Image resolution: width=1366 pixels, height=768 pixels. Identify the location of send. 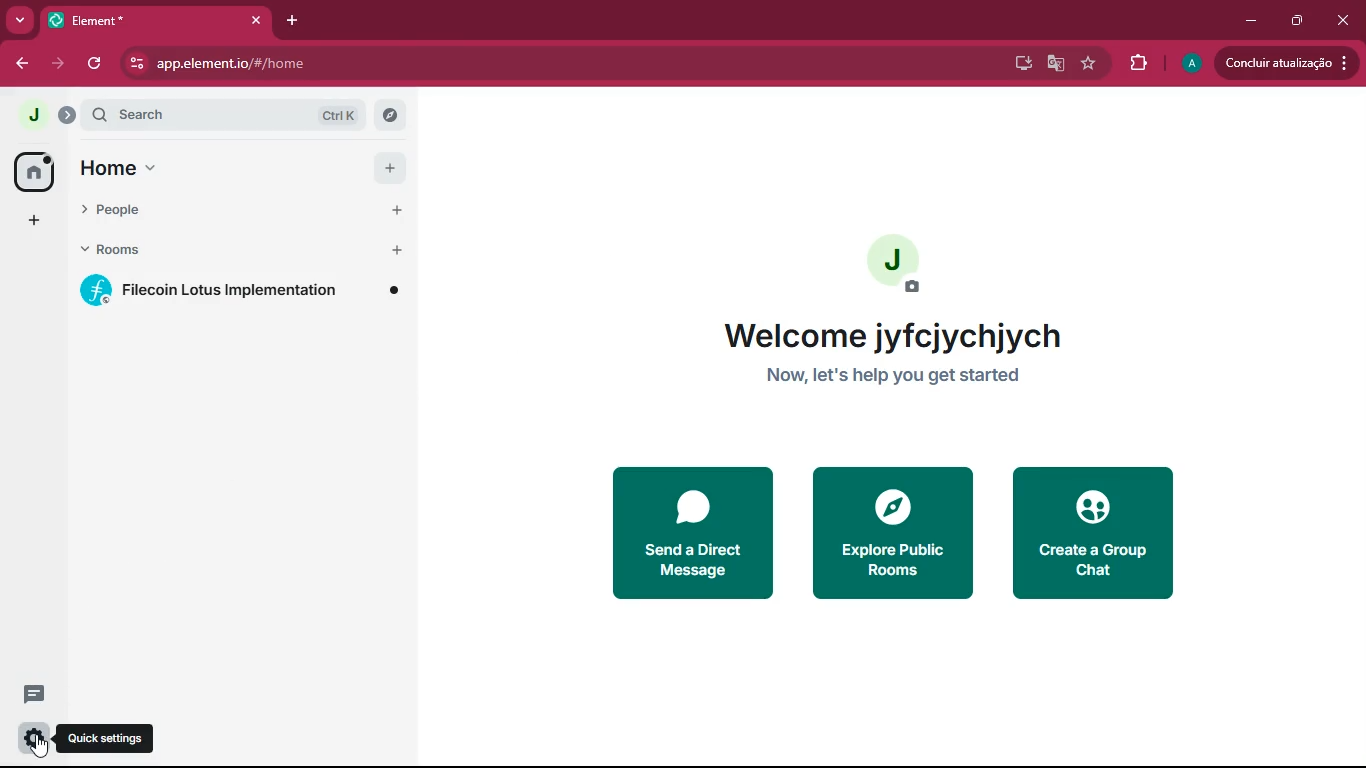
(691, 532).